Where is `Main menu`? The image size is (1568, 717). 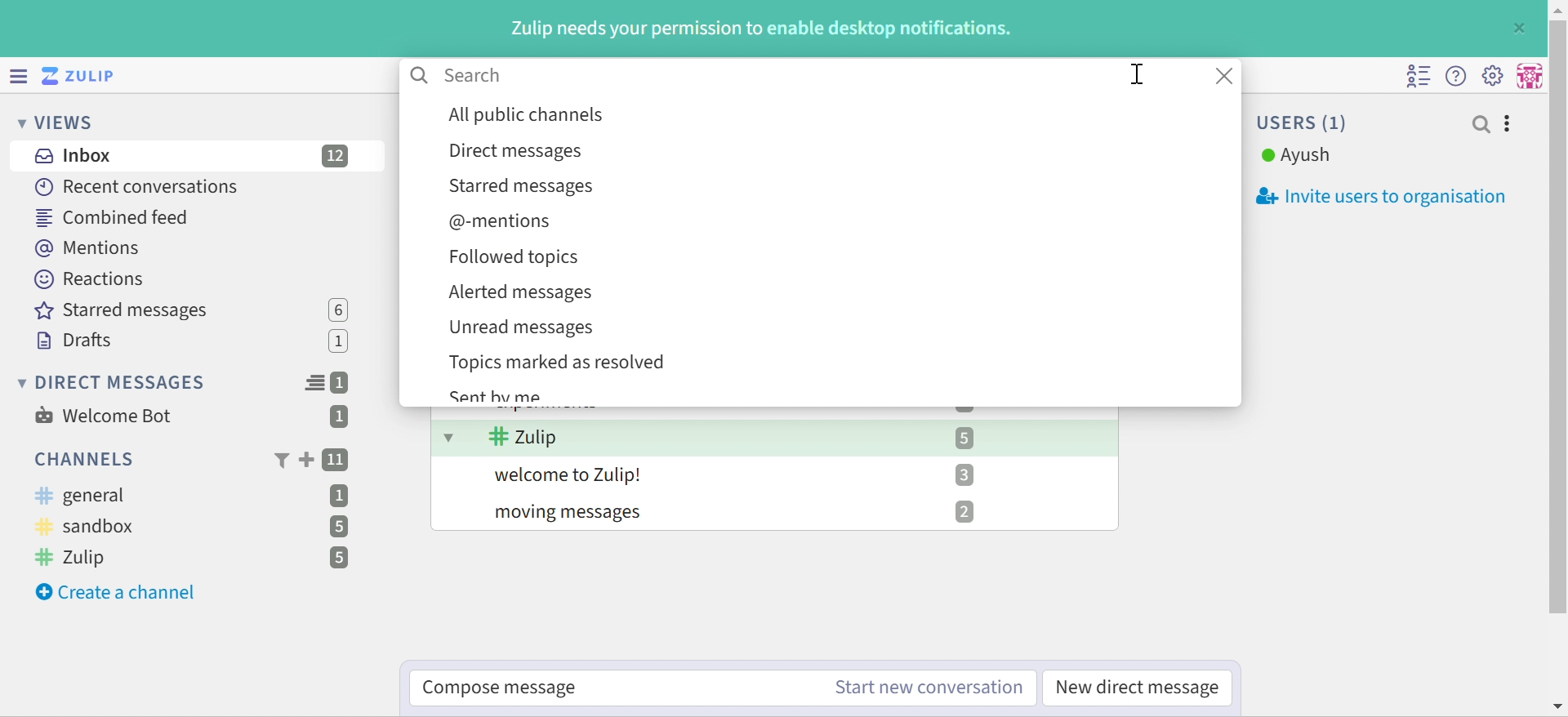
Main menu is located at coordinates (1495, 75).